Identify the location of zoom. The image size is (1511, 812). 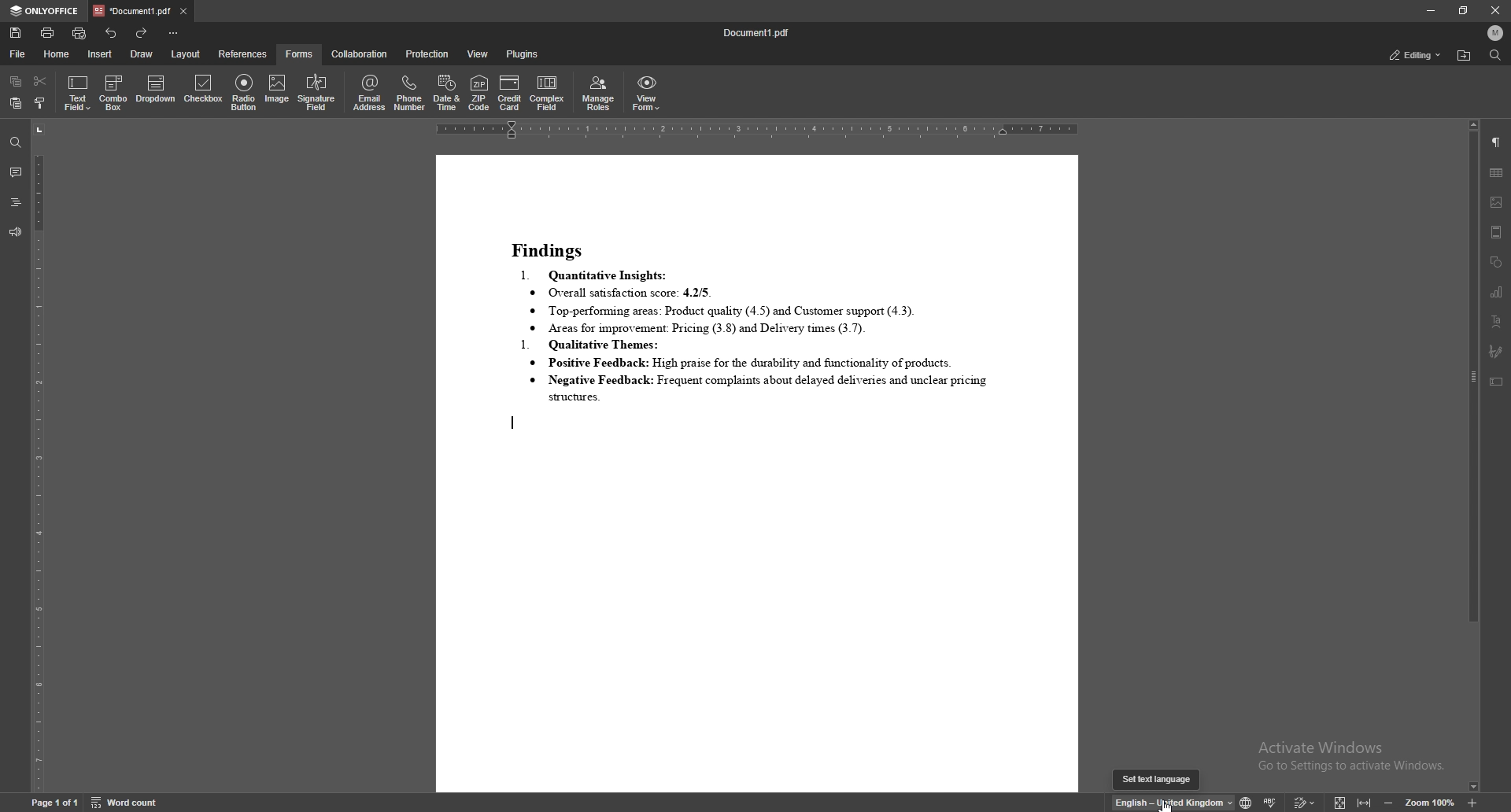
(1431, 802).